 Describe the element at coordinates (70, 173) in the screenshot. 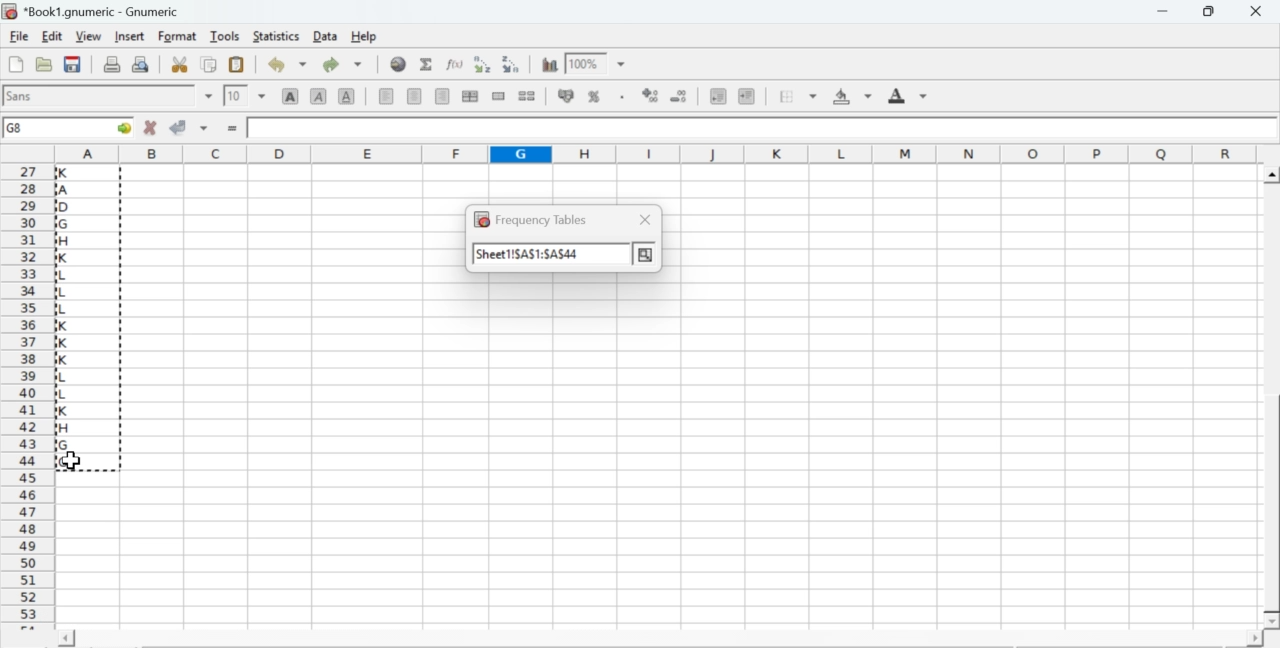

I see `cursor` at that location.